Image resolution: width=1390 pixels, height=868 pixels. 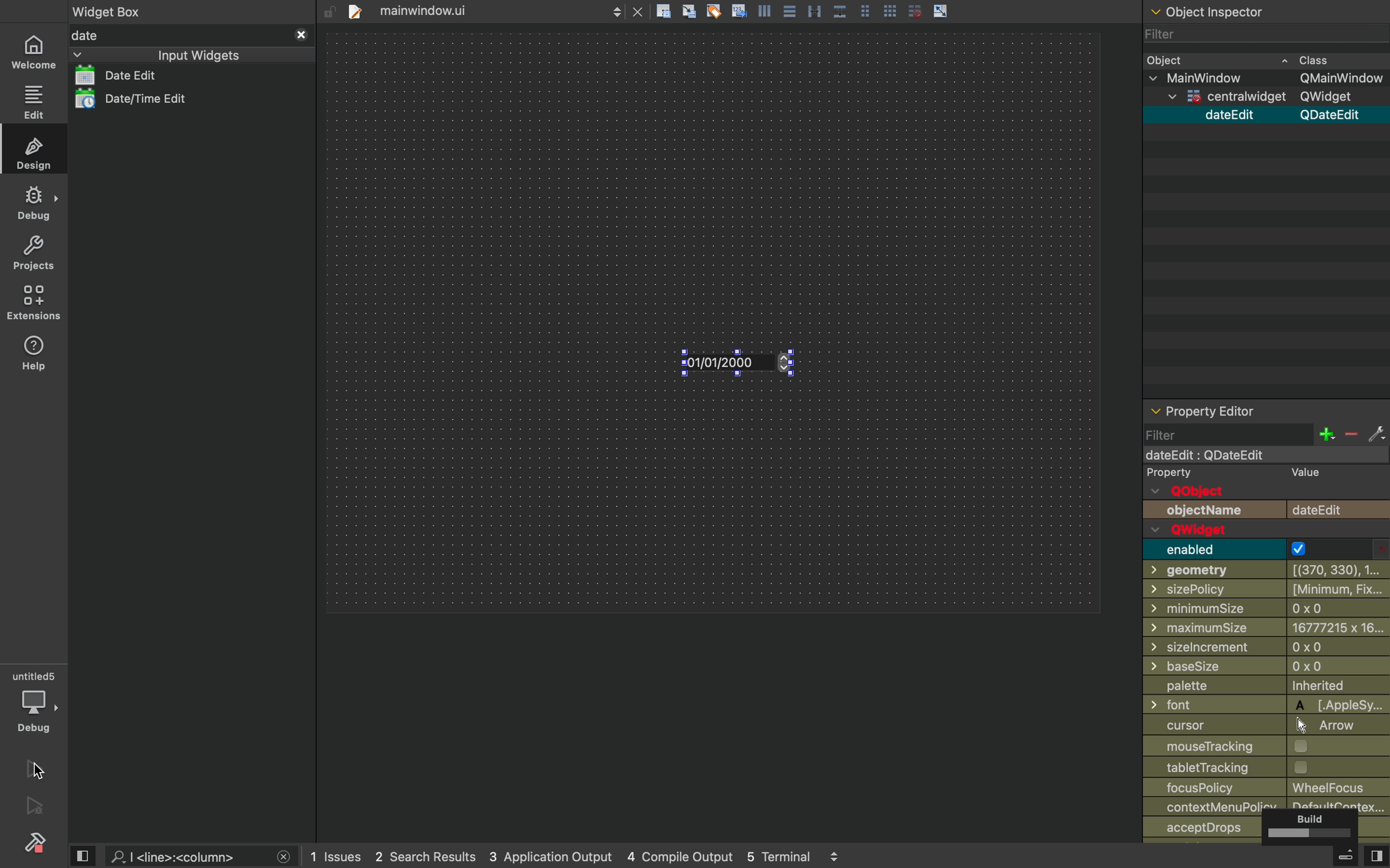 I want to click on file tab, so click(x=470, y=10).